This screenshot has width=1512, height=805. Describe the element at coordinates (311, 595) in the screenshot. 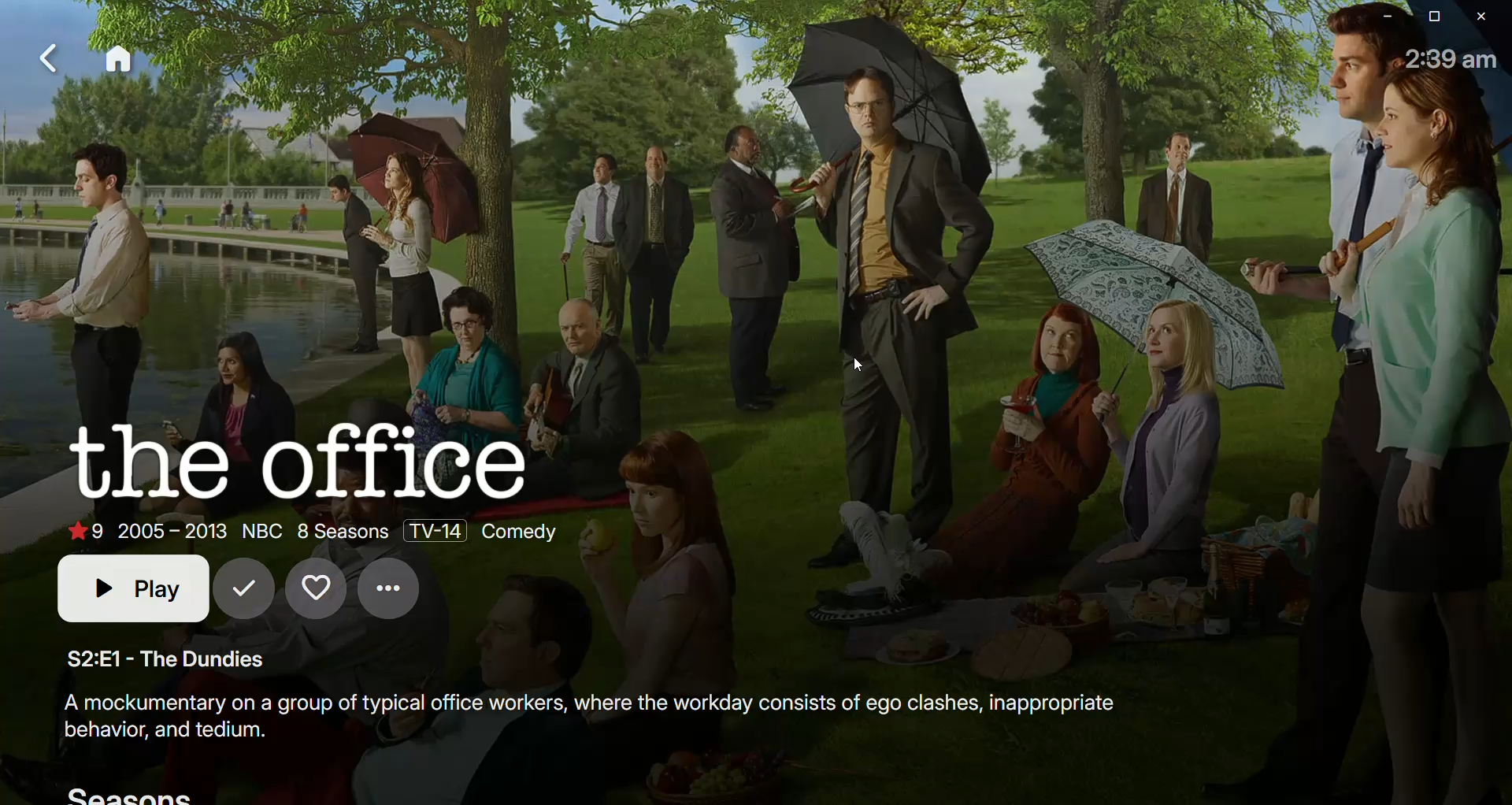

I see `Favorites` at that location.